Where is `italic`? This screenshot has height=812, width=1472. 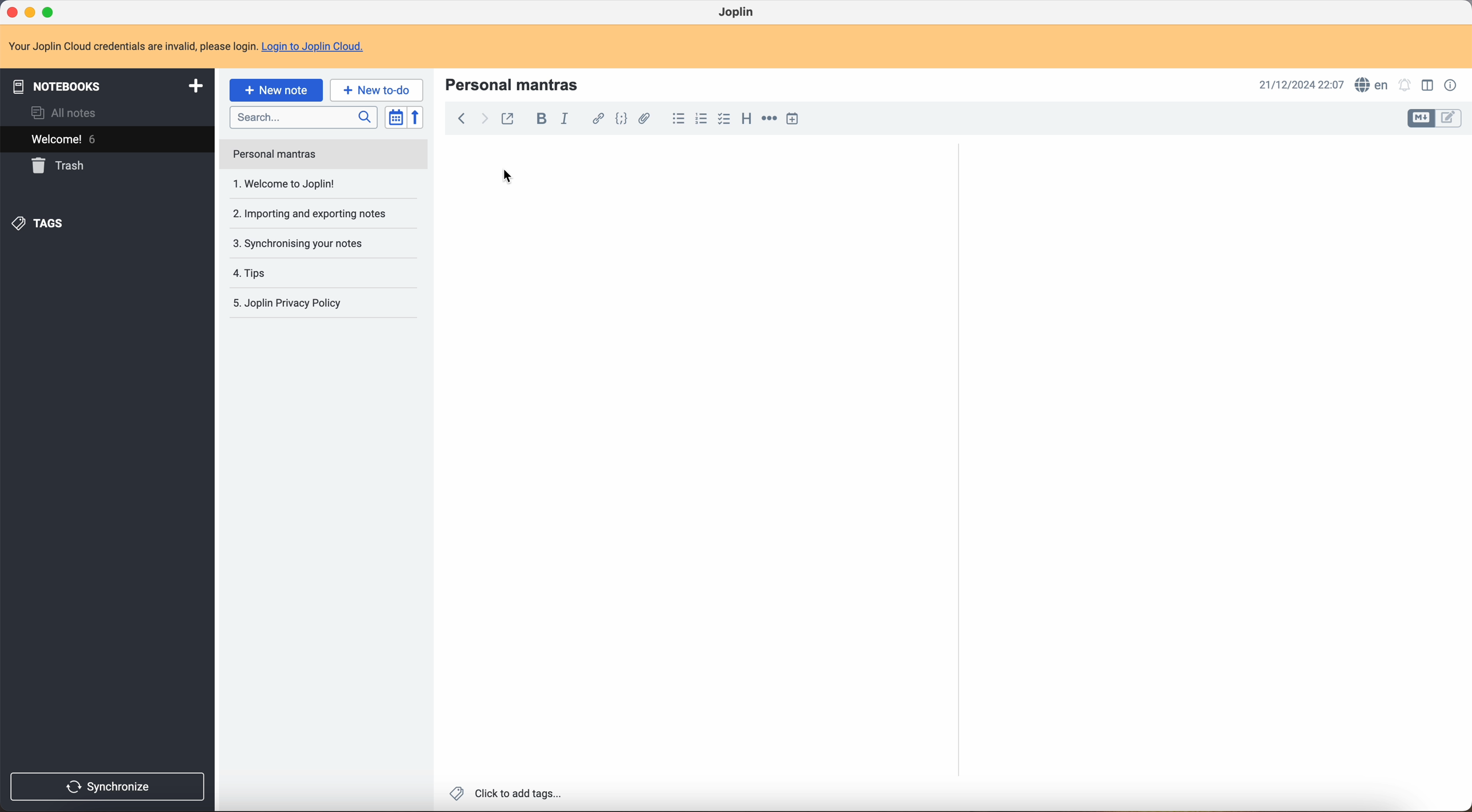 italic is located at coordinates (567, 120).